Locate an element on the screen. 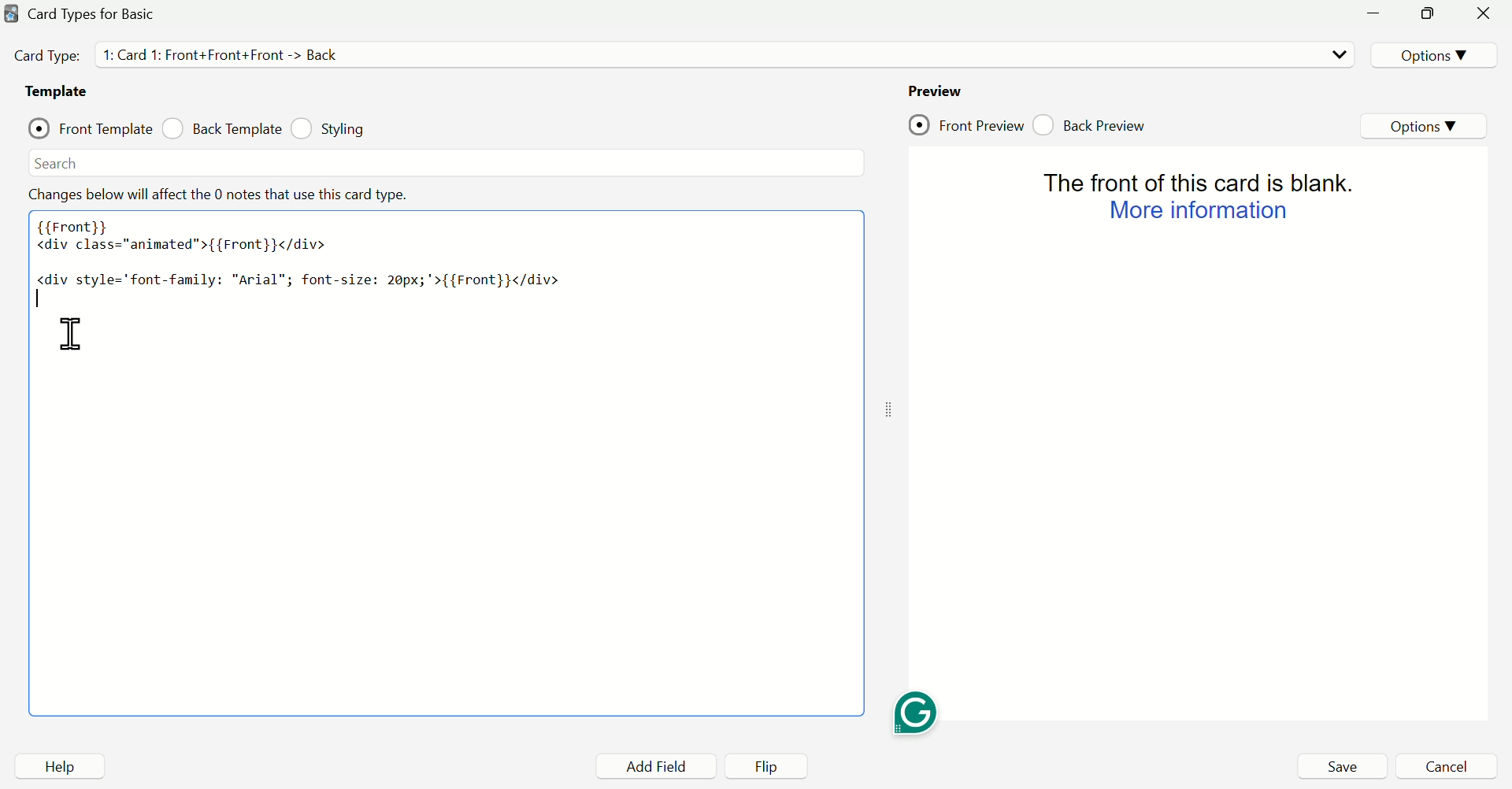 The height and width of the screenshot is (789, 1512). check Back Preview is located at coordinates (1089, 123).